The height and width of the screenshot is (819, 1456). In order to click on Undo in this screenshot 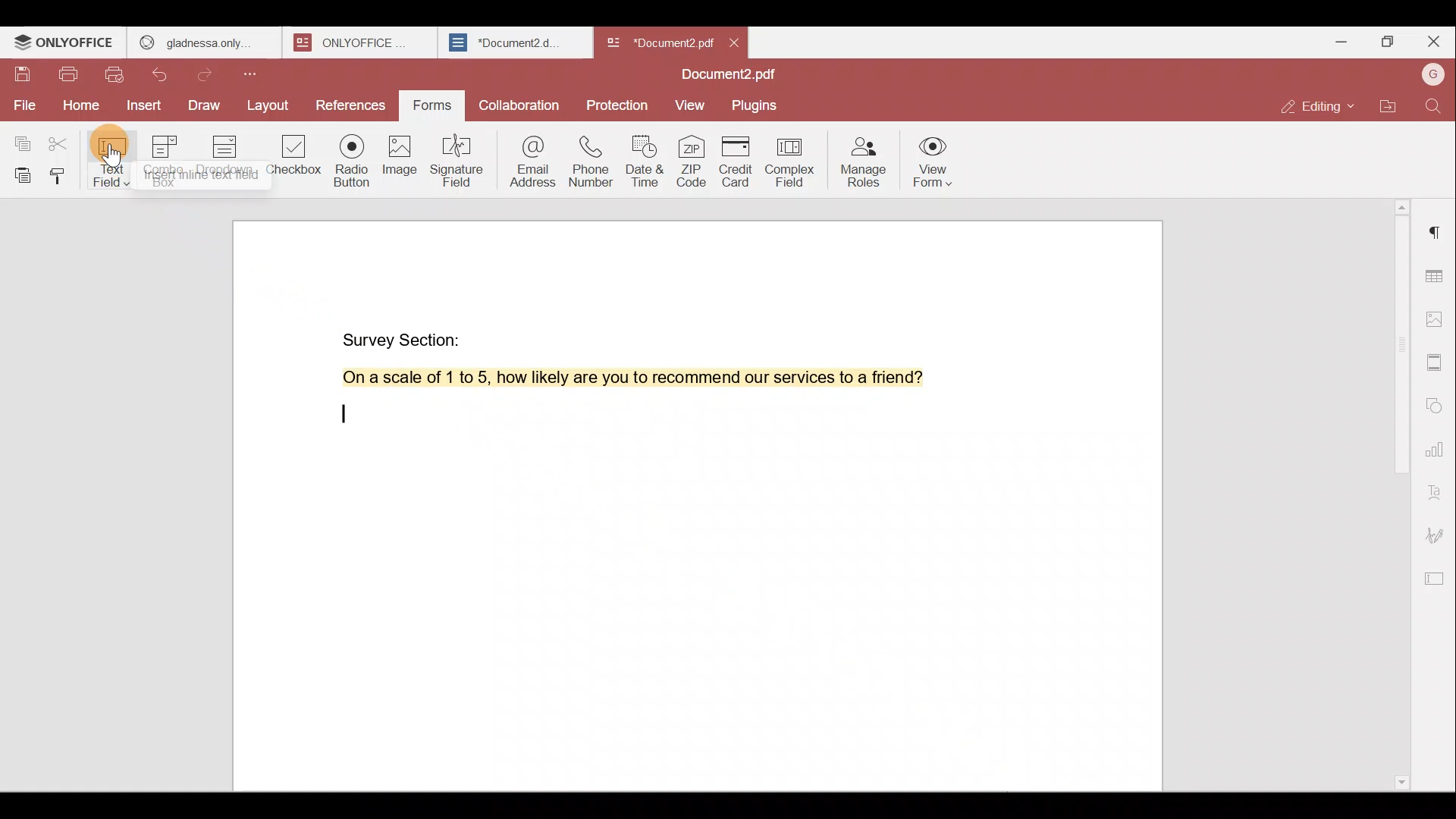, I will do `click(168, 77)`.